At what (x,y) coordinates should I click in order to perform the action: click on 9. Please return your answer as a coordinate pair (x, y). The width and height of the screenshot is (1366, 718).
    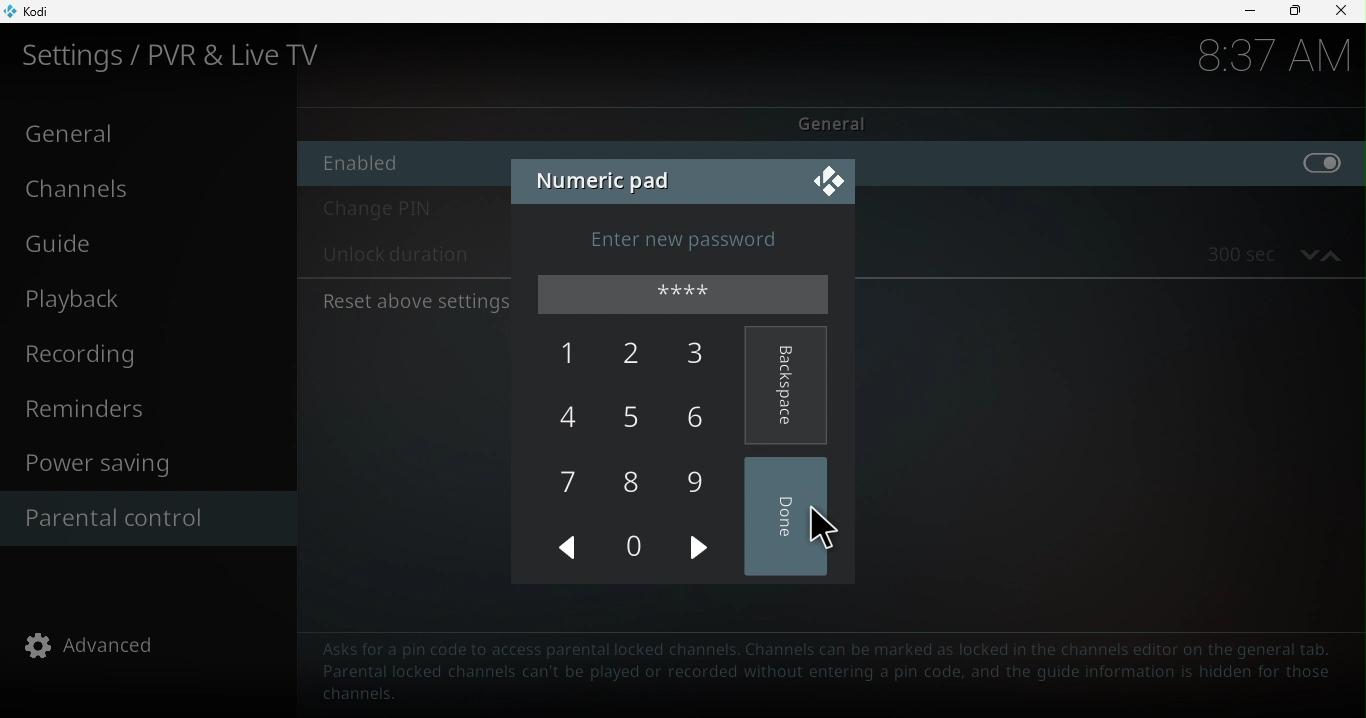
    Looking at the image, I should click on (699, 479).